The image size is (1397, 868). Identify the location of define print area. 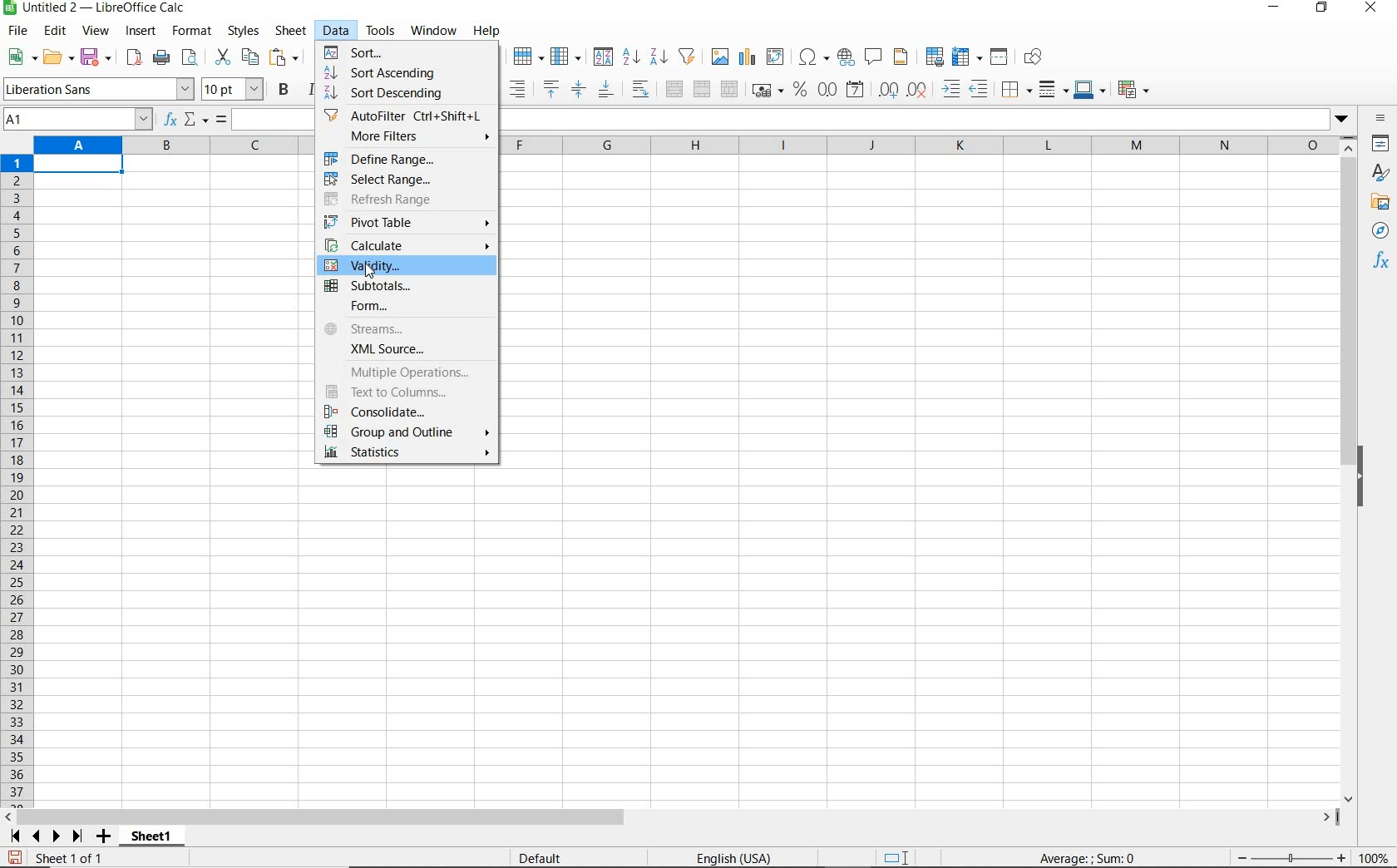
(933, 57).